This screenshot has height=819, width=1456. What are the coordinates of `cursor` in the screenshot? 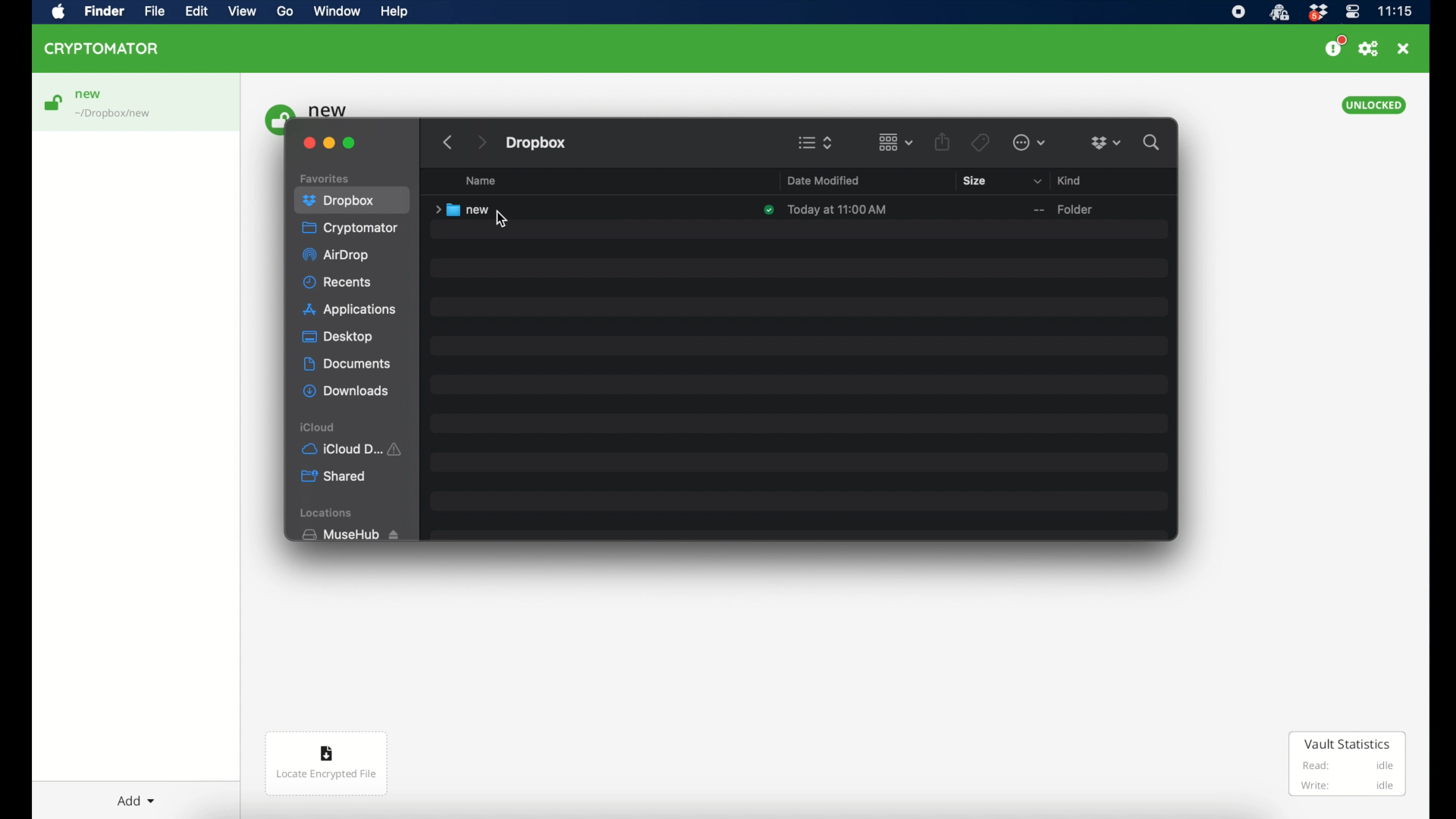 It's located at (503, 220).